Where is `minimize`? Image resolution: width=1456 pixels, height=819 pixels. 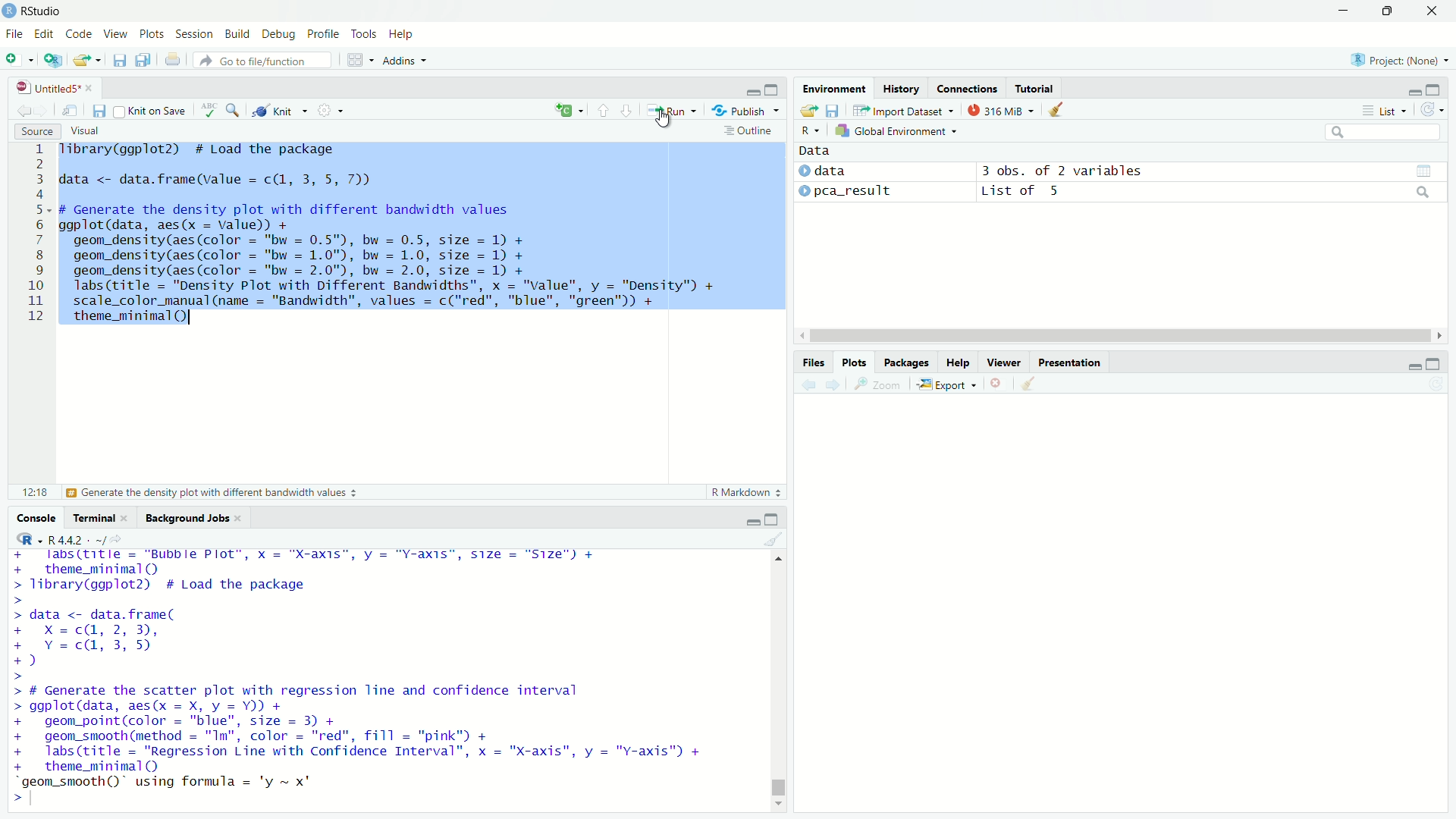
minimize is located at coordinates (1414, 366).